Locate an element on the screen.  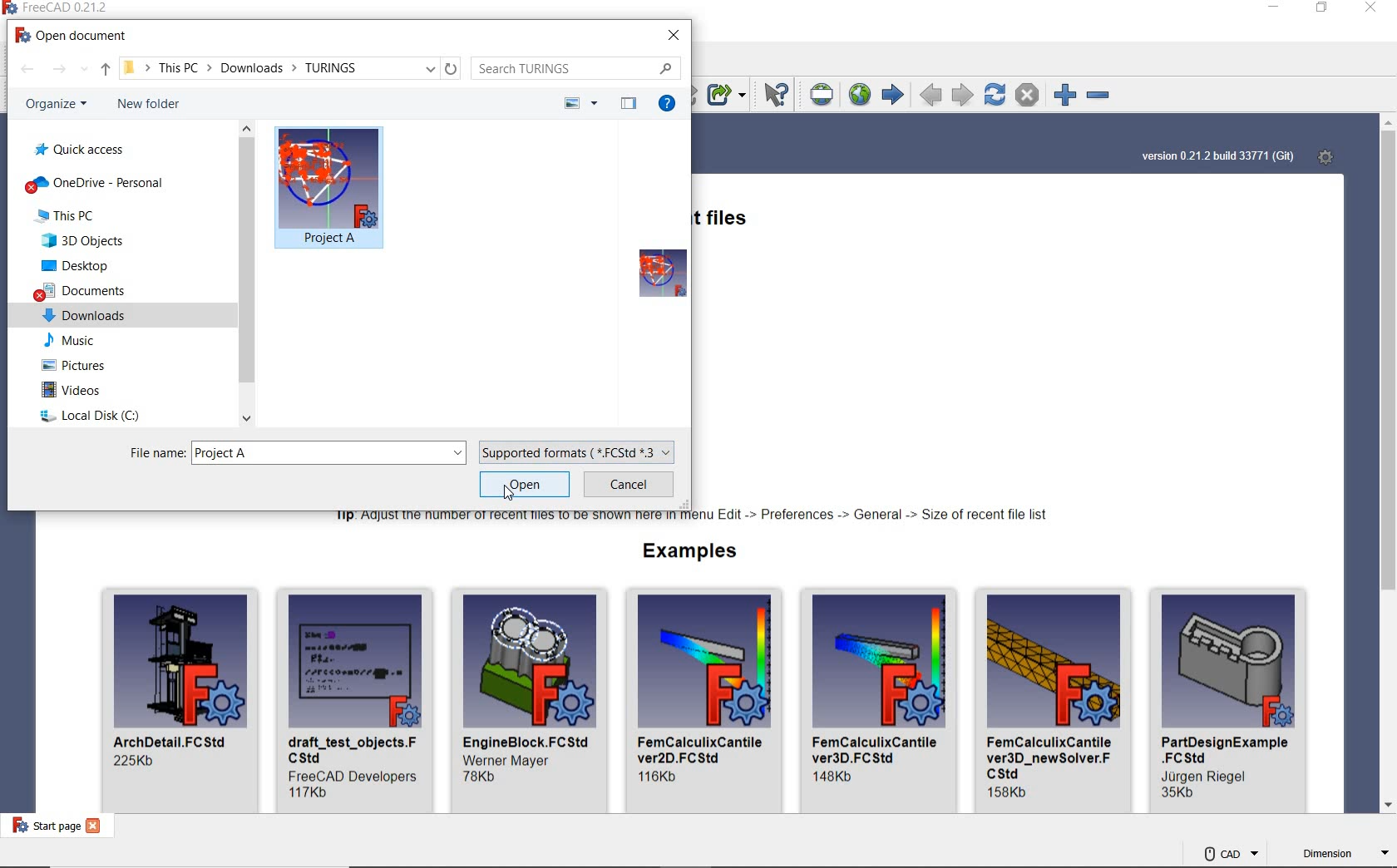
EXAMPLES is located at coordinates (693, 552).